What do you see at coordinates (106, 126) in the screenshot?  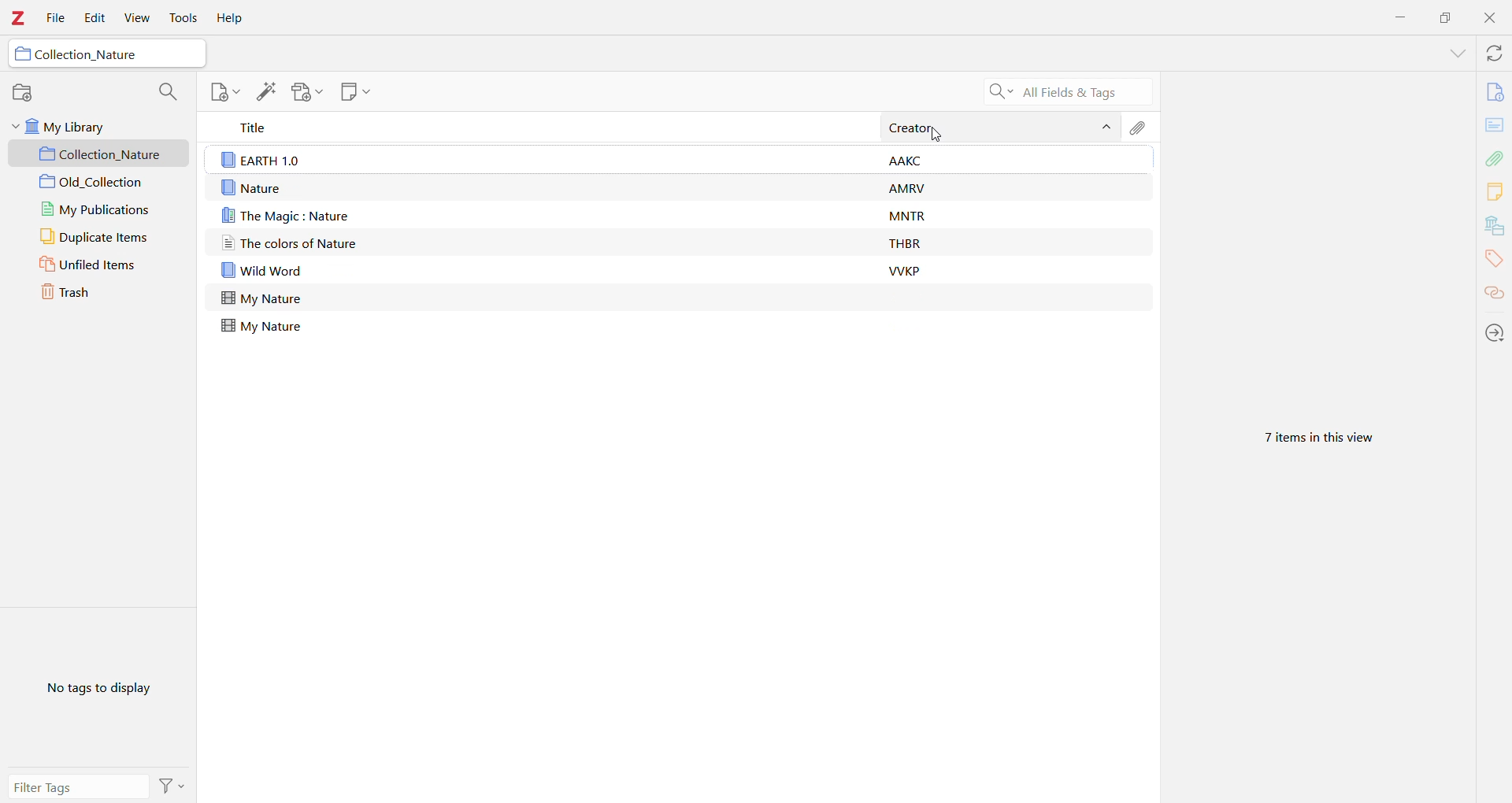 I see `My Library` at bounding box center [106, 126].